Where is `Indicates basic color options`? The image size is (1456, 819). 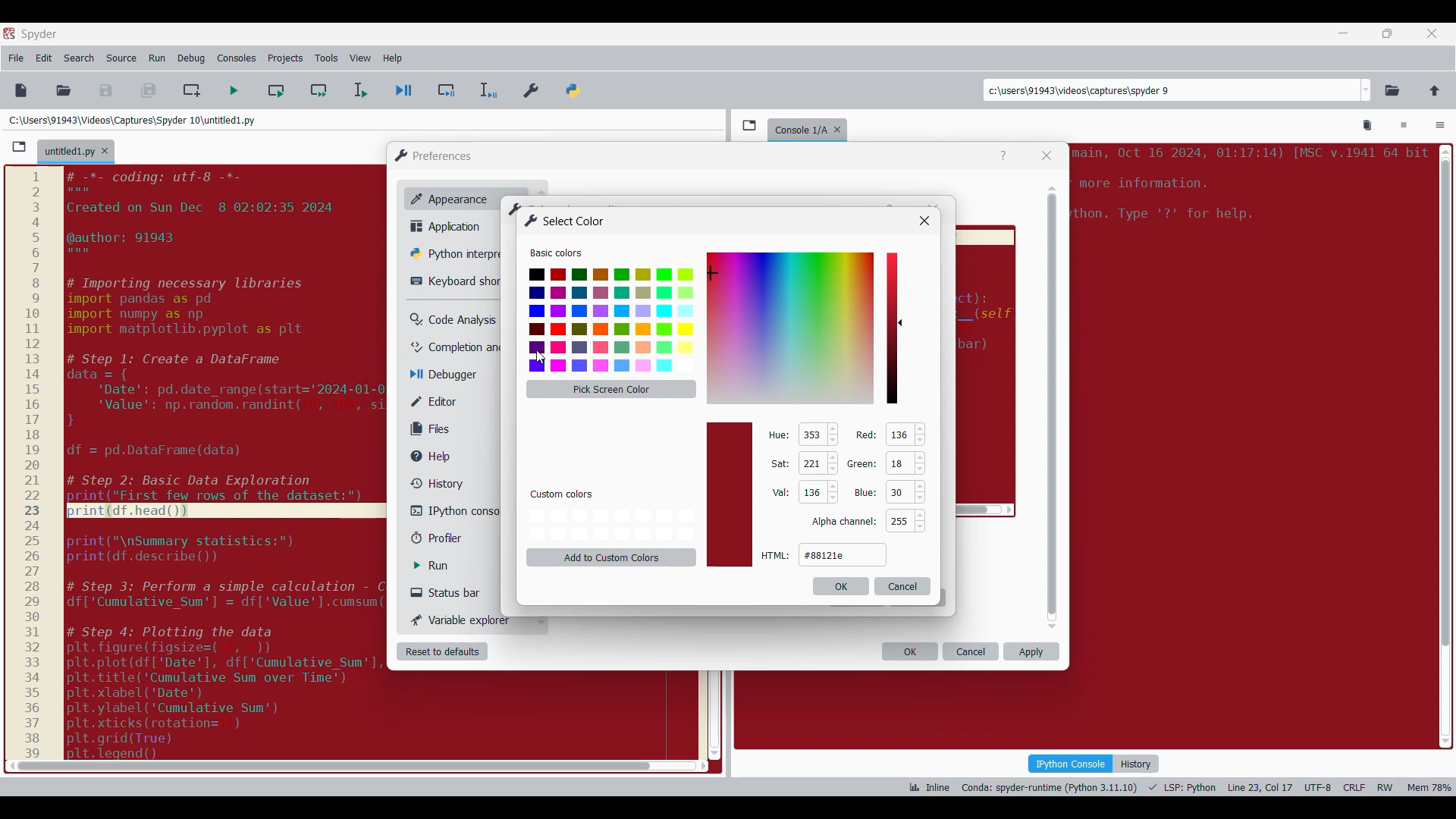 Indicates basic color options is located at coordinates (556, 253).